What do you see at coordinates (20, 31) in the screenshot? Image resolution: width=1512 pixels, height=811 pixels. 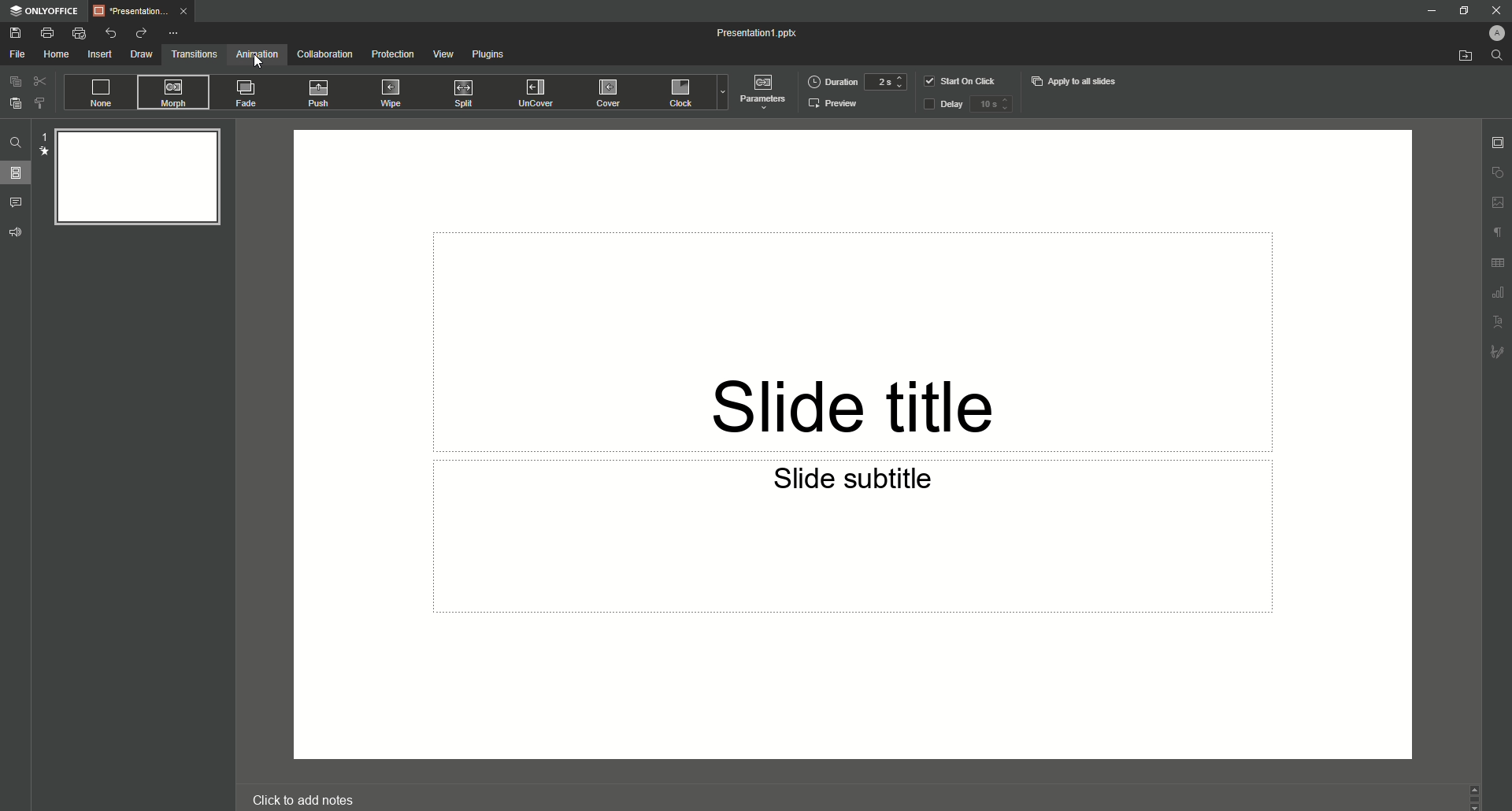 I see `Save` at bounding box center [20, 31].